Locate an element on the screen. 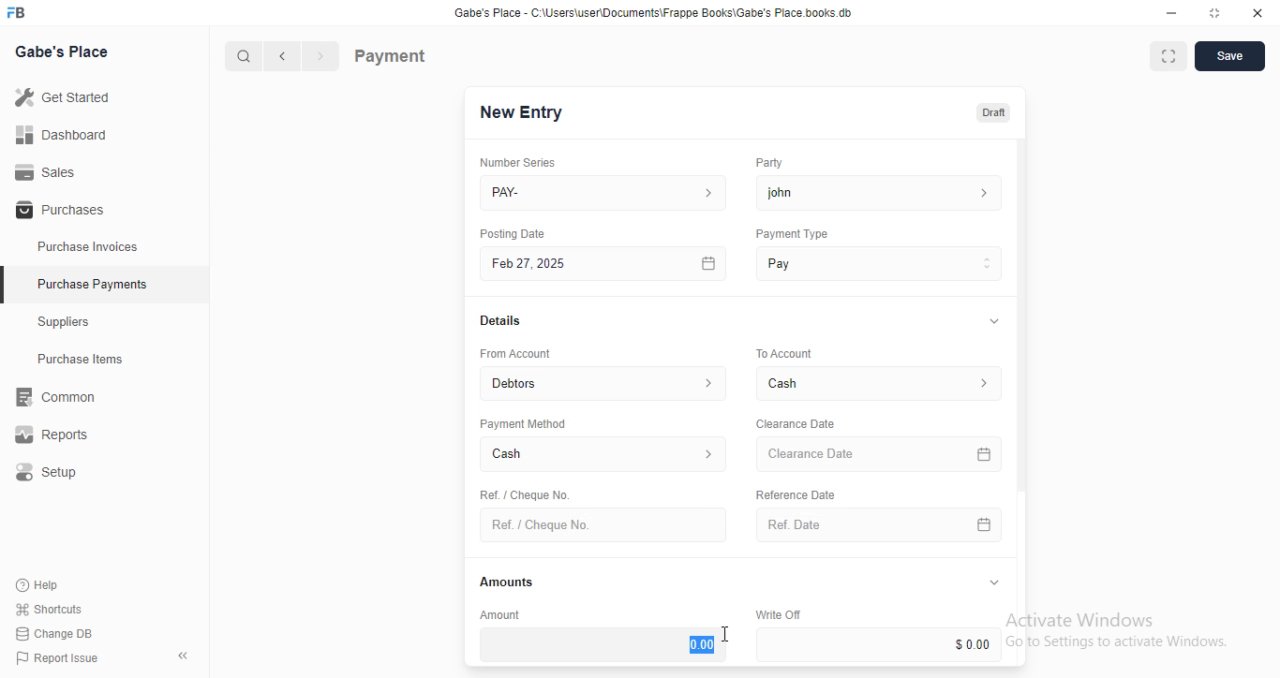 Image resolution: width=1280 pixels, height=678 pixels. Amount is located at coordinates (497, 614).